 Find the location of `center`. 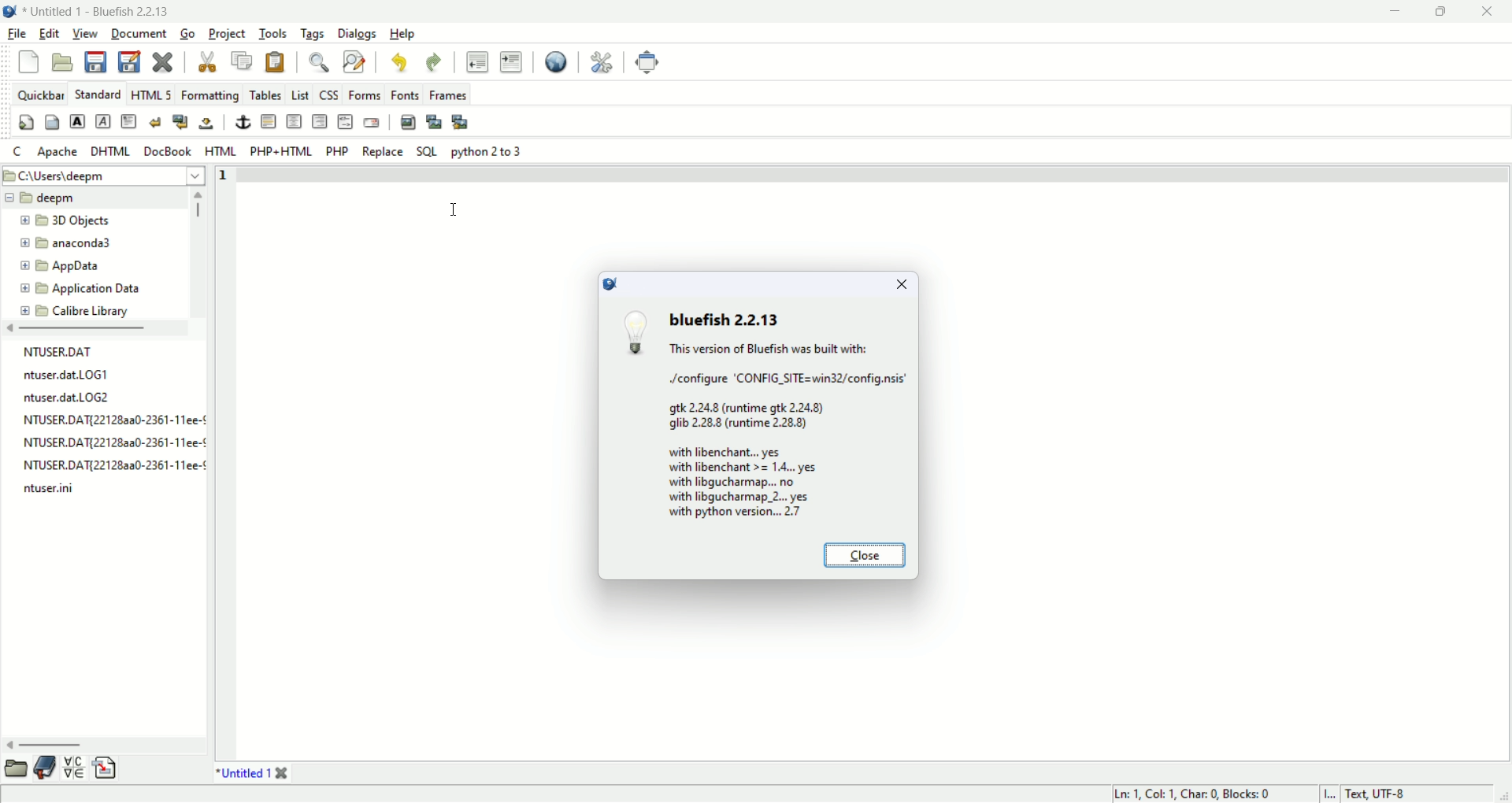

center is located at coordinates (294, 121).